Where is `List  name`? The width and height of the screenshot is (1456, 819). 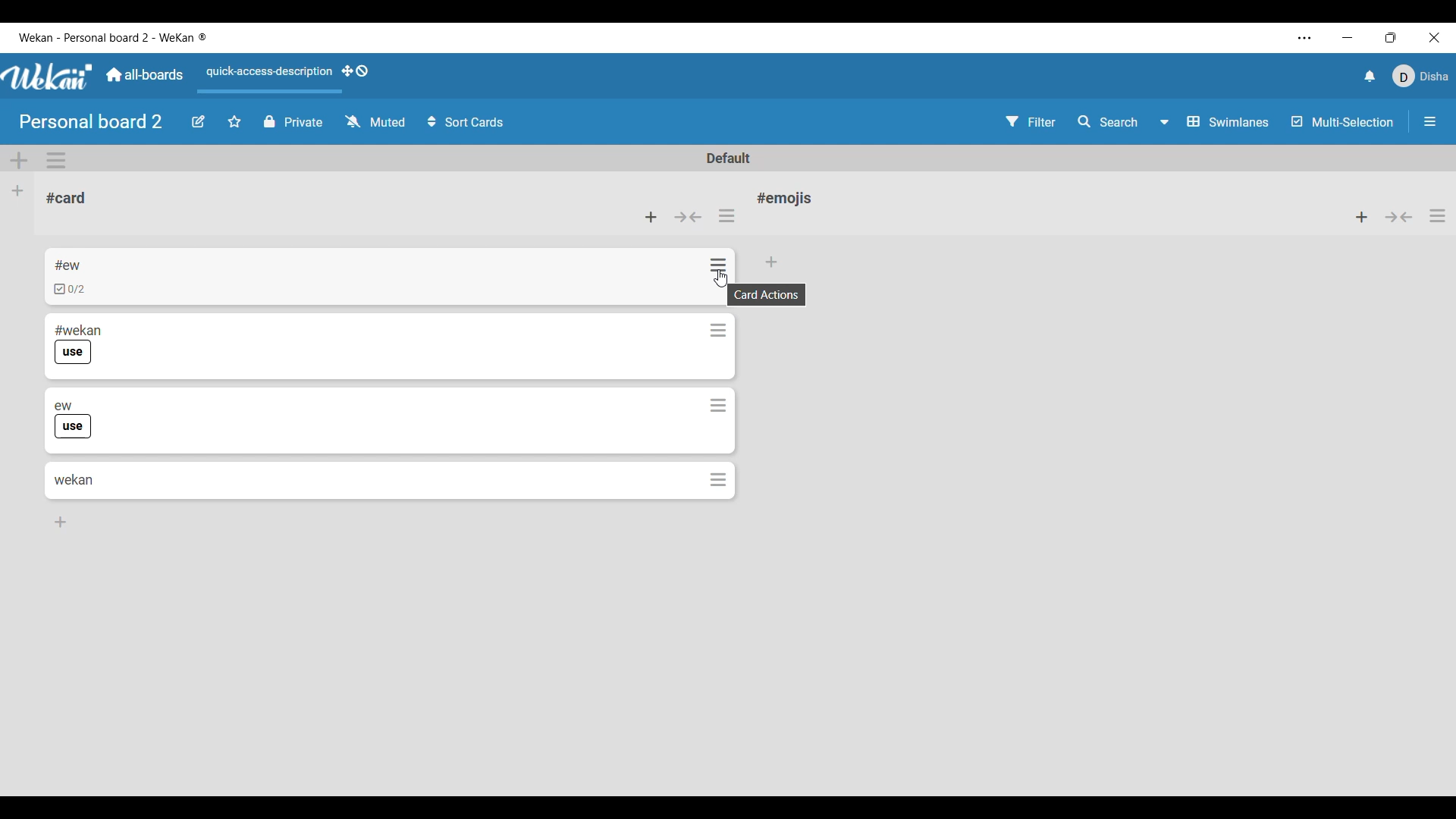 List  name is located at coordinates (784, 198).